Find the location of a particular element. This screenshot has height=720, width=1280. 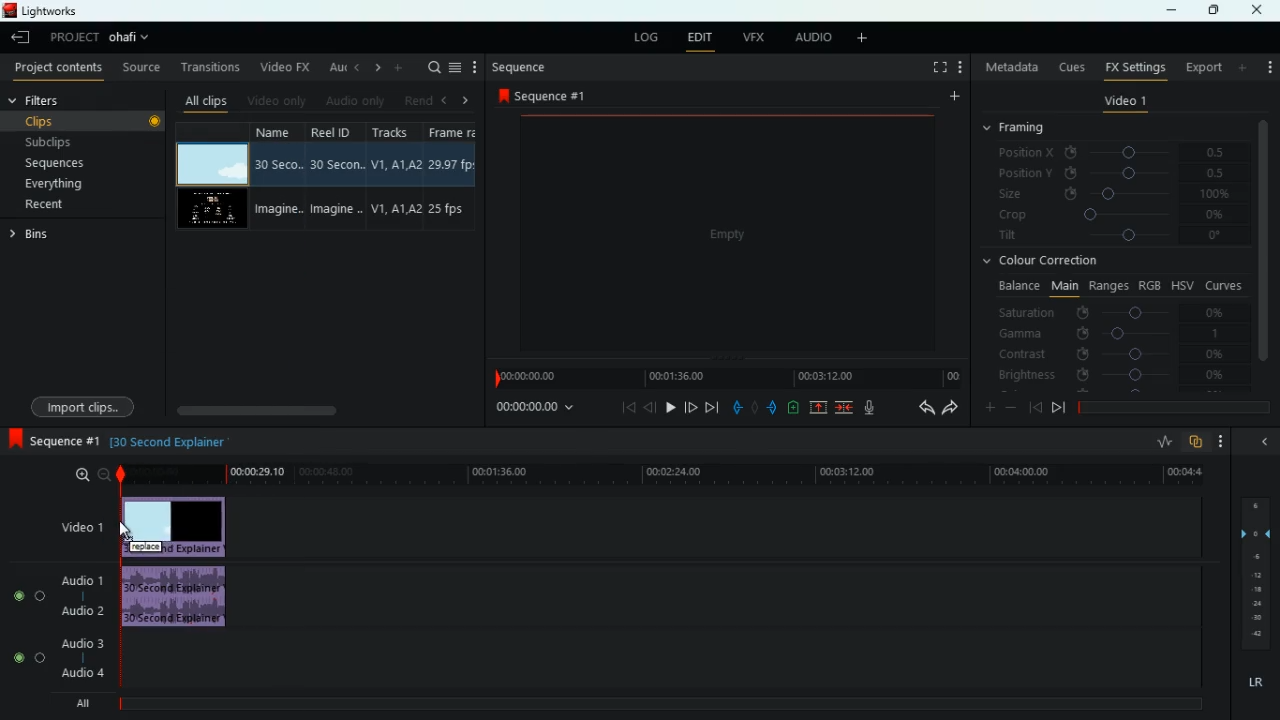

video is located at coordinates (214, 164).